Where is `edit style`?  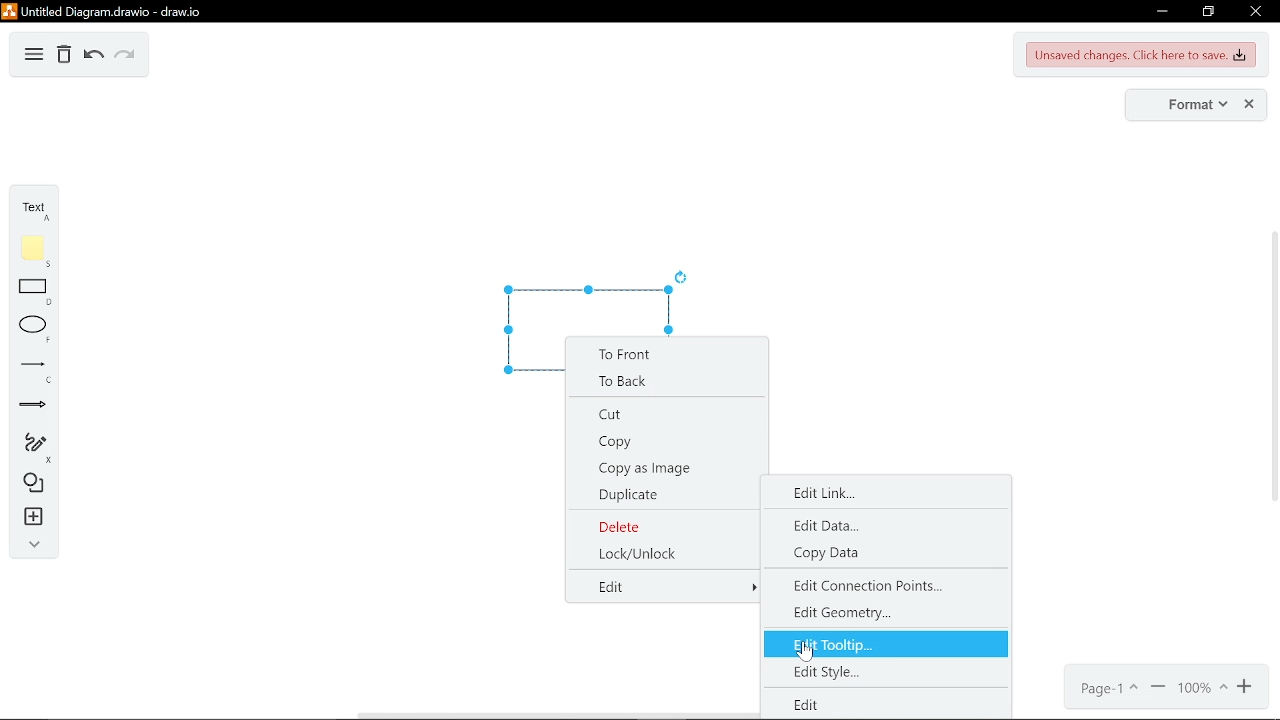
edit style is located at coordinates (824, 671).